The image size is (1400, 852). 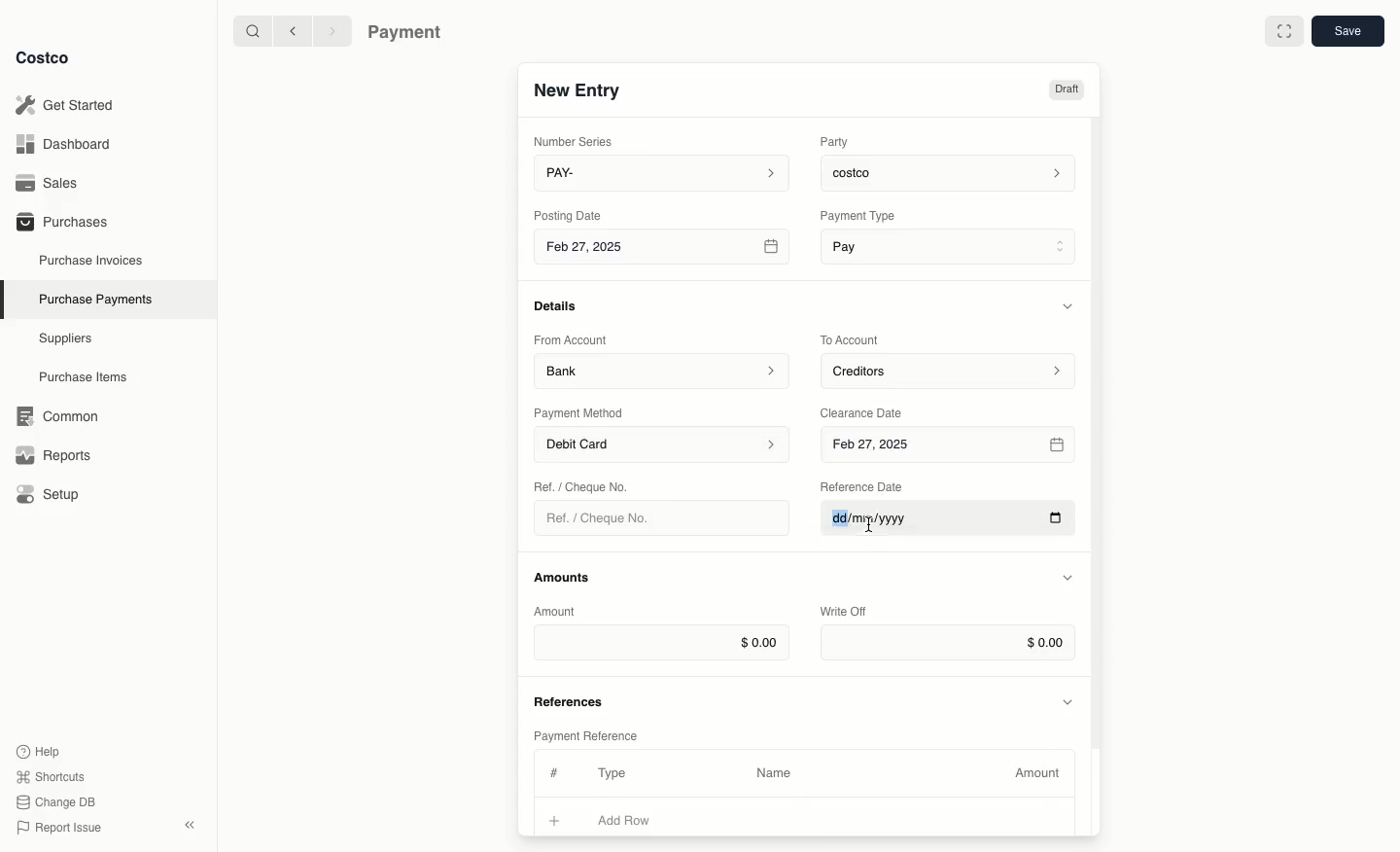 What do you see at coordinates (42, 57) in the screenshot?
I see `Costco` at bounding box center [42, 57].